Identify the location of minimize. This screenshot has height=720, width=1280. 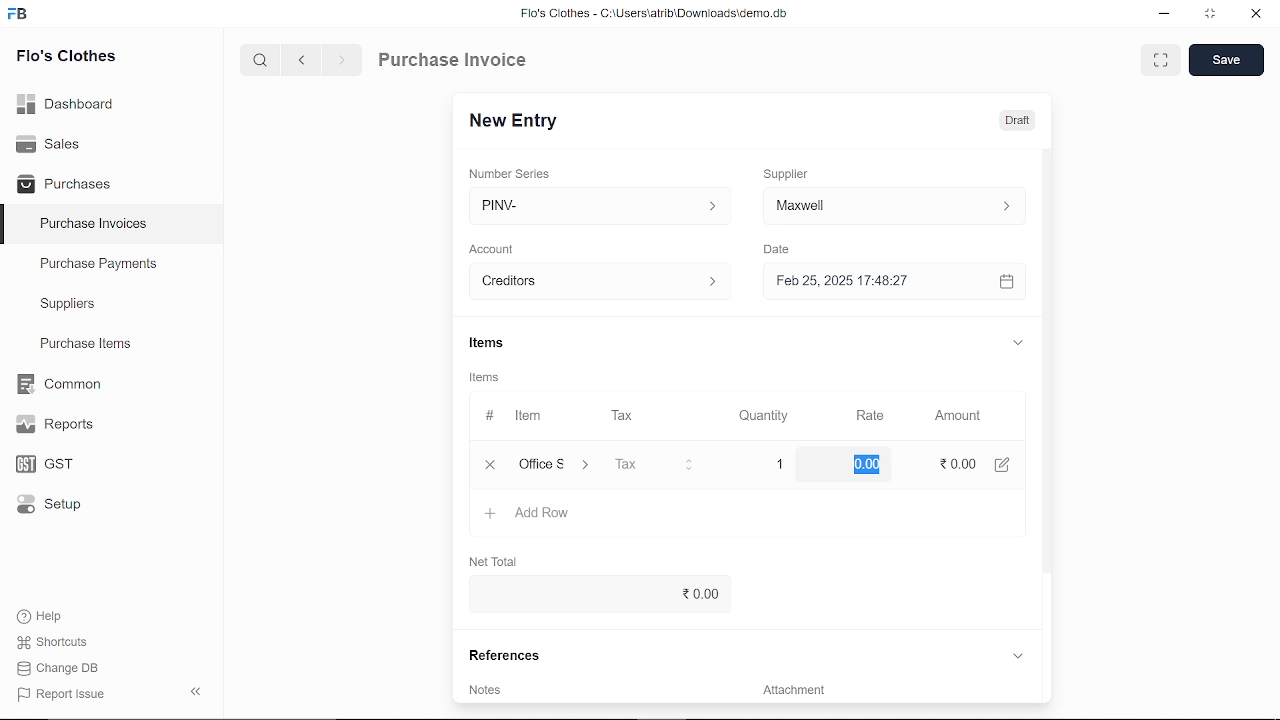
(1162, 14).